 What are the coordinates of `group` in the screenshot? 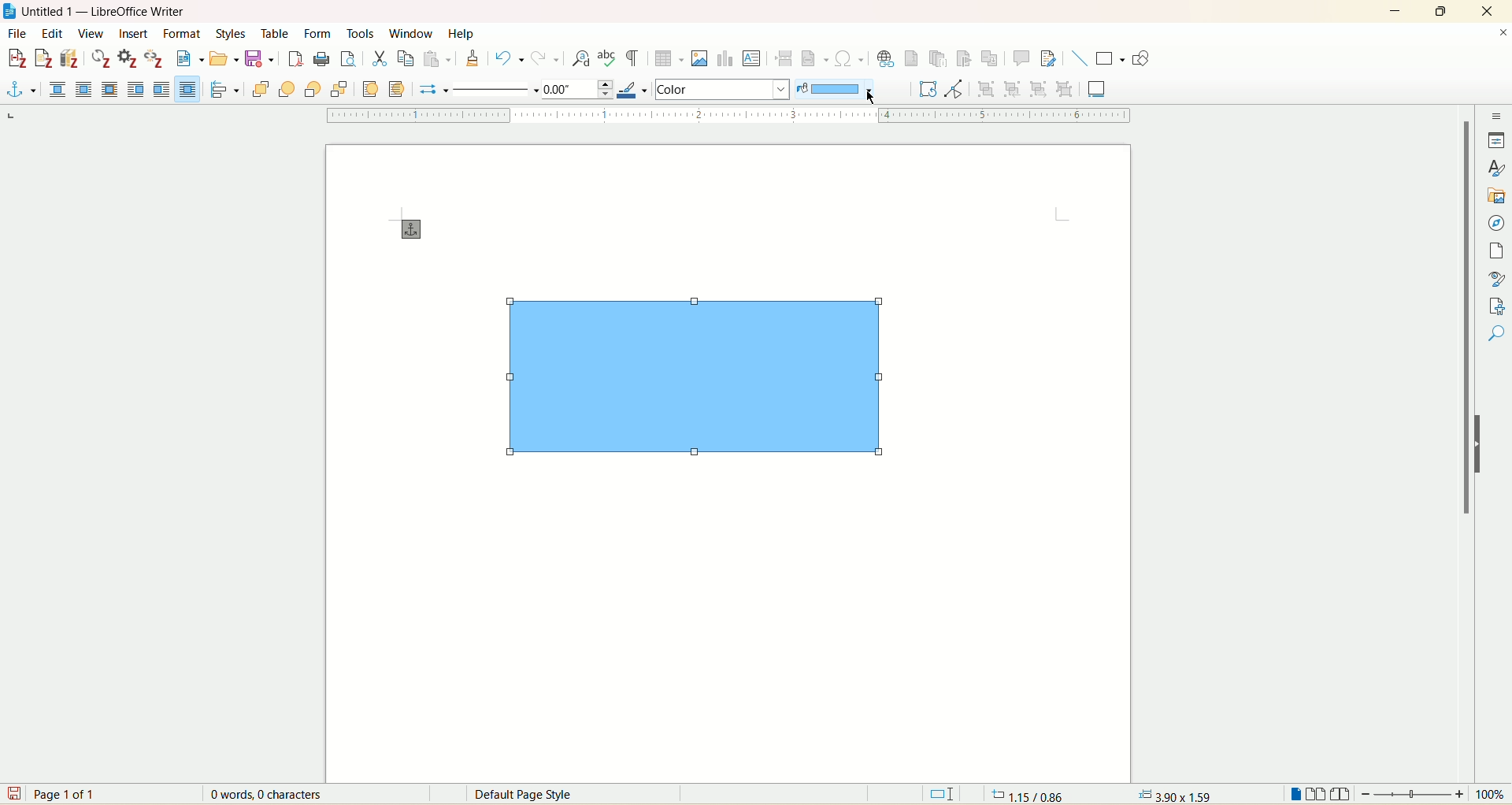 It's located at (988, 88).